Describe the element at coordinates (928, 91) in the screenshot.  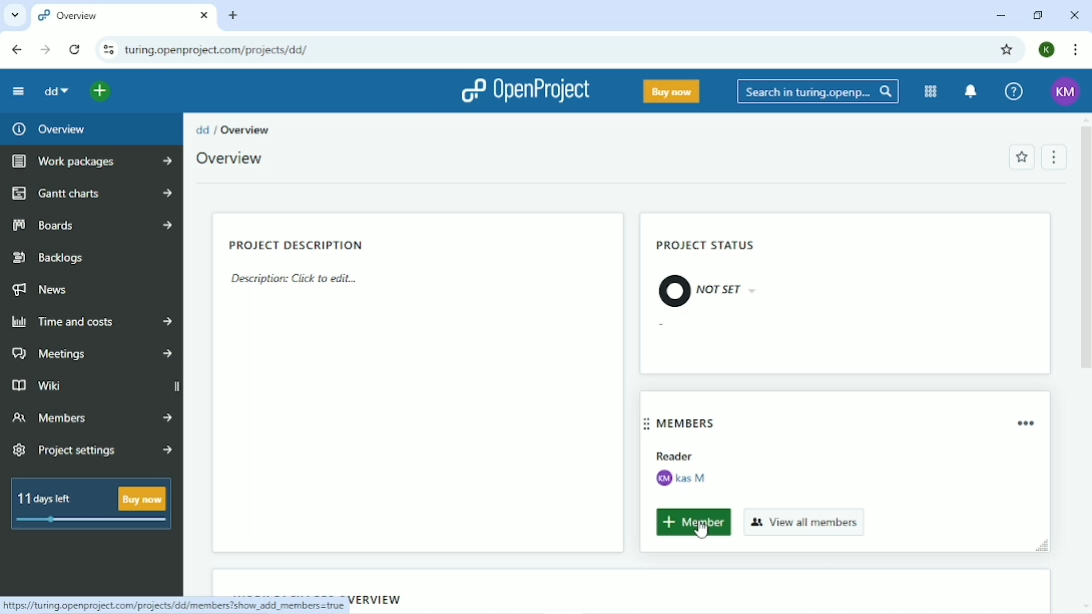
I see `Modules` at that location.